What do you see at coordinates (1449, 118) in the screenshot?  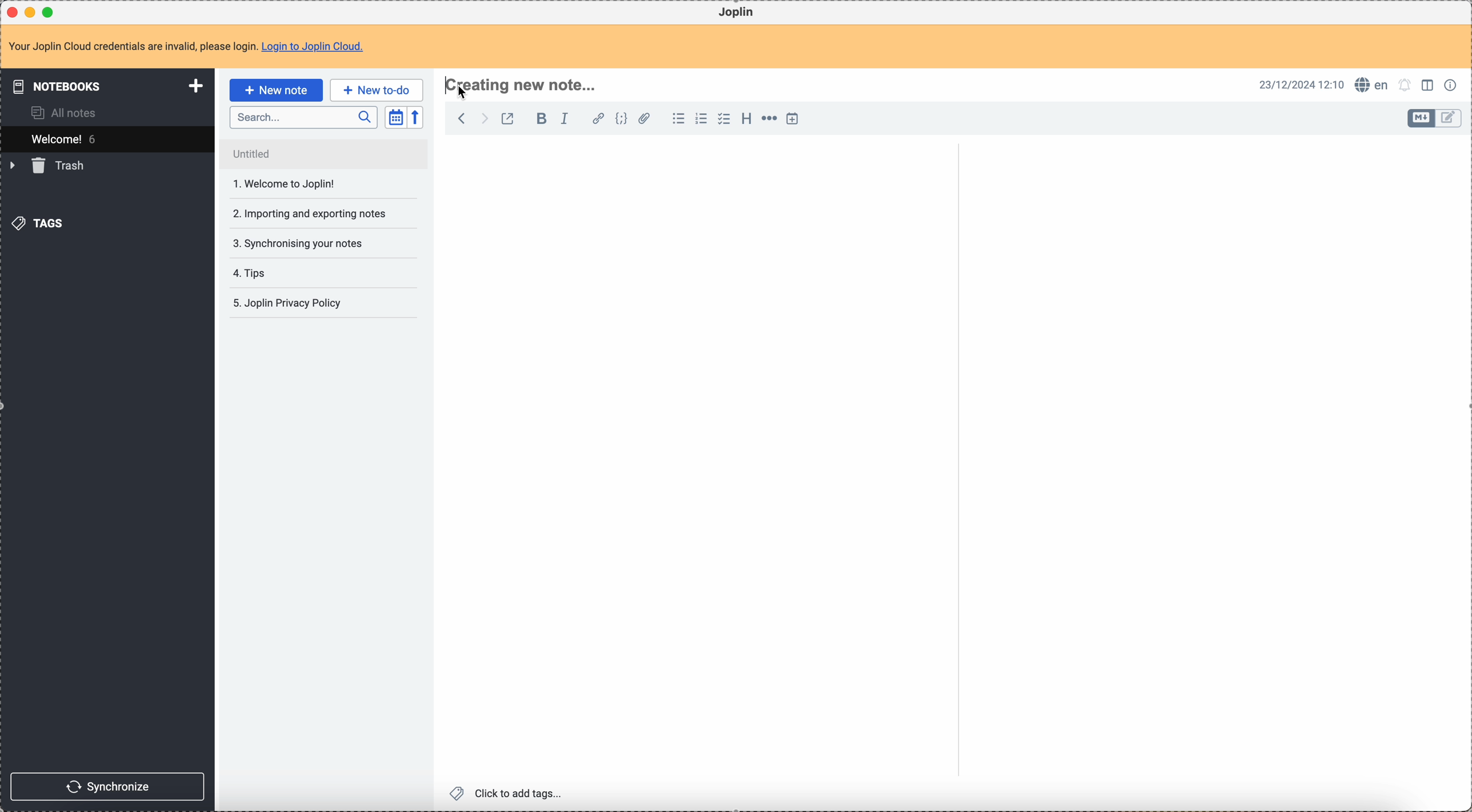 I see `toggle edit layout` at bounding box center [1449, 118].